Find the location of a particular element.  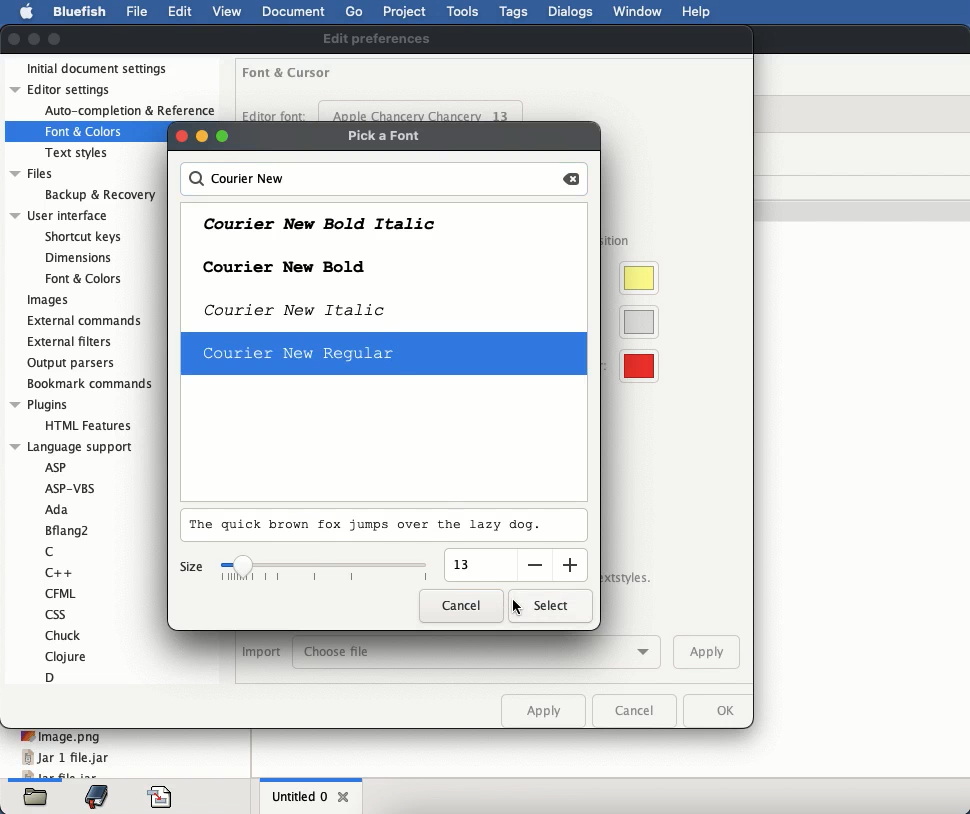

Text styles is located at coordinates (76, 153).